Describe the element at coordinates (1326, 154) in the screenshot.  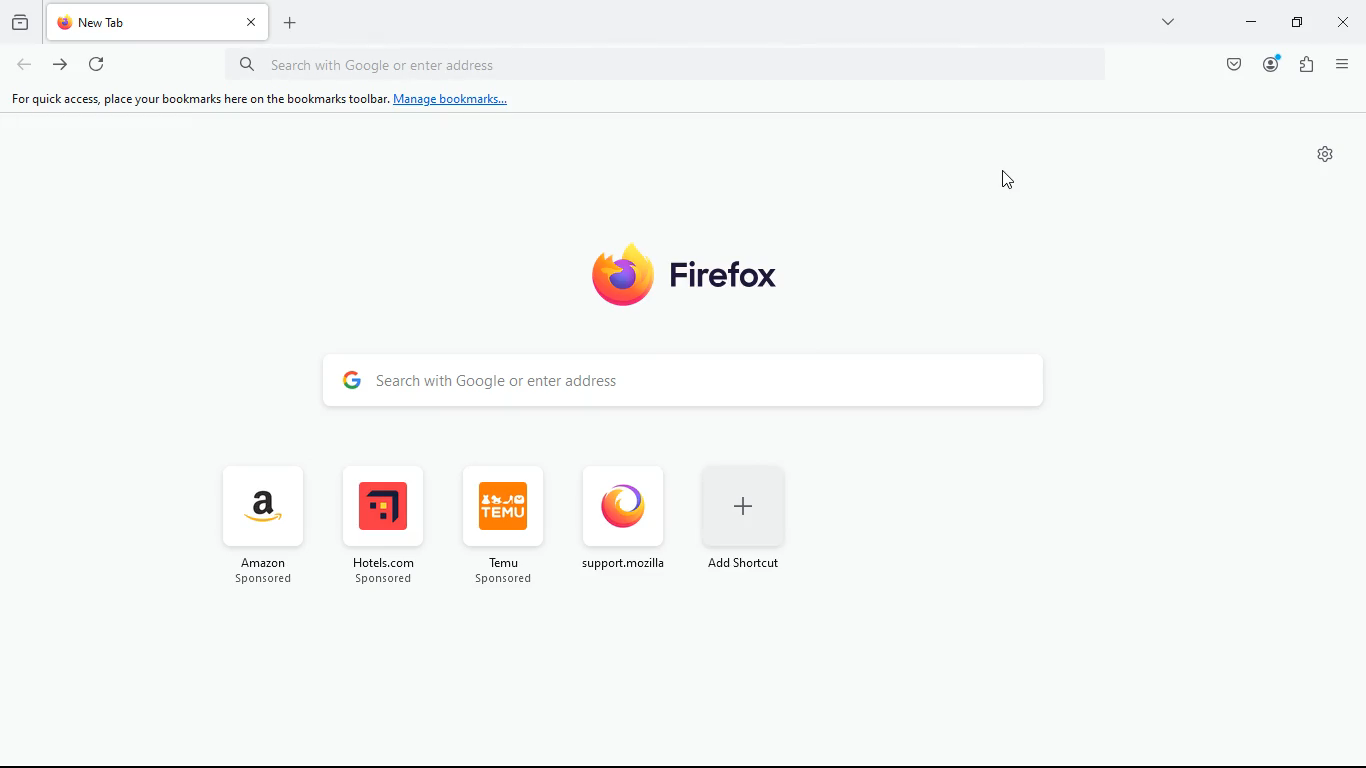
I see `settings` at that location.